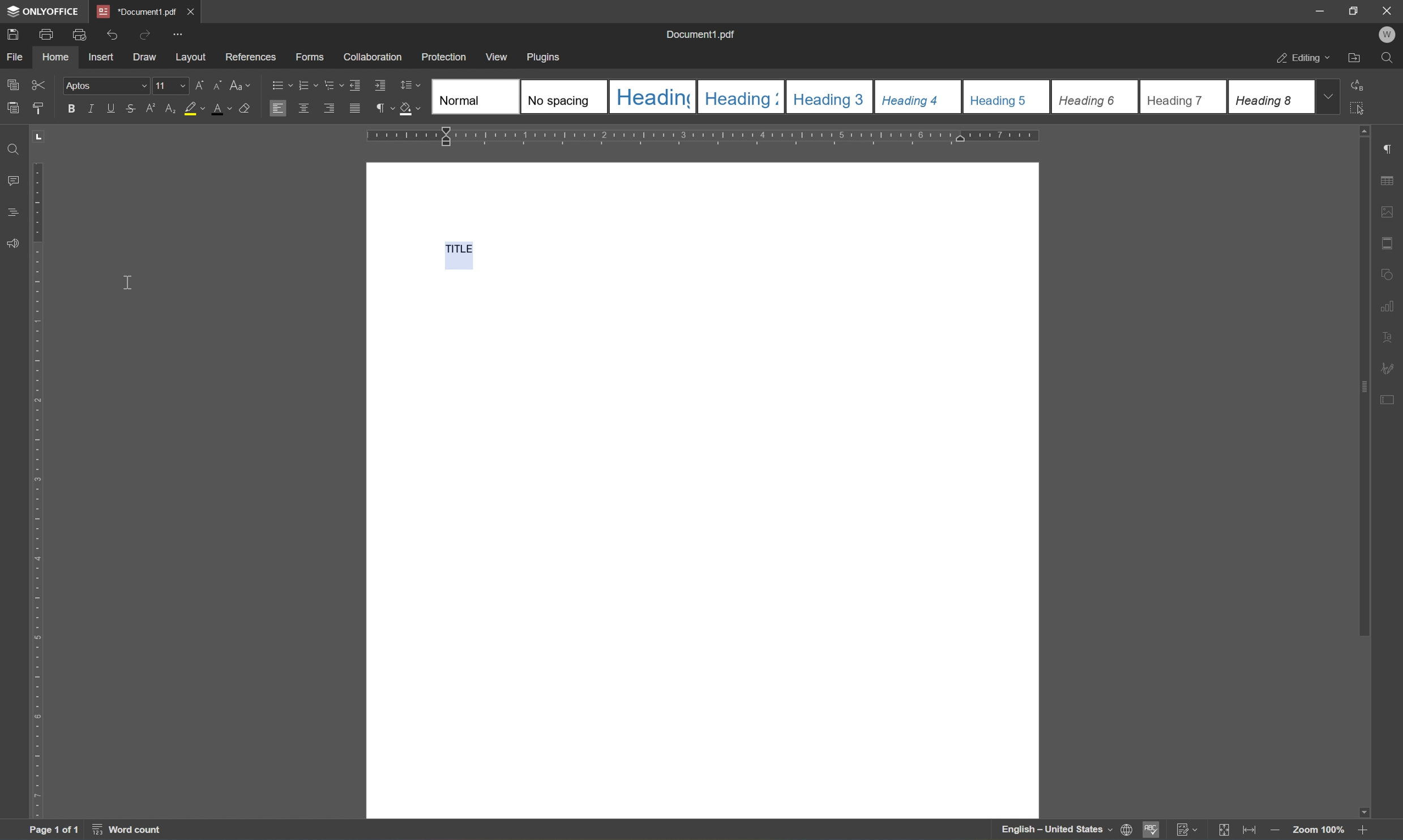 The width and height of the screenshot is (1403, 840). I want to click on subscript, so click(170, 108).